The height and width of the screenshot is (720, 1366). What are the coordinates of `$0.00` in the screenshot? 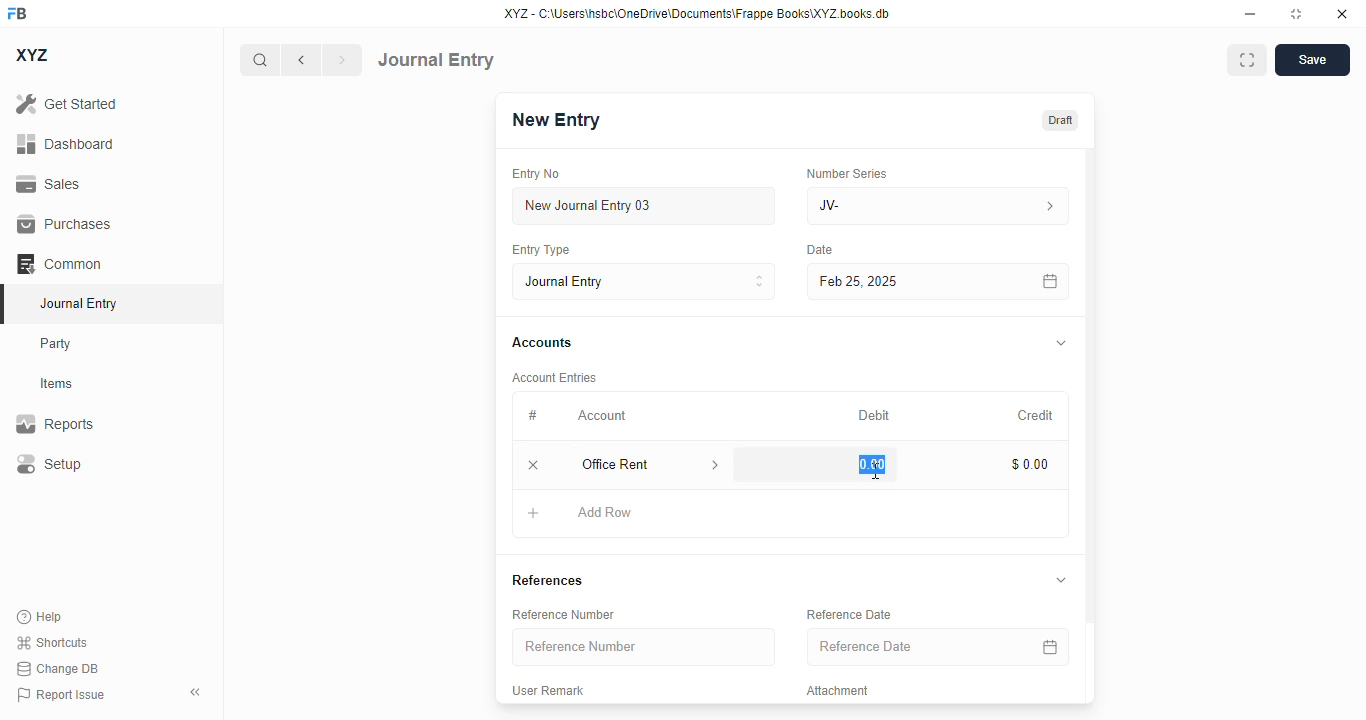 It's located at (1031, 464).